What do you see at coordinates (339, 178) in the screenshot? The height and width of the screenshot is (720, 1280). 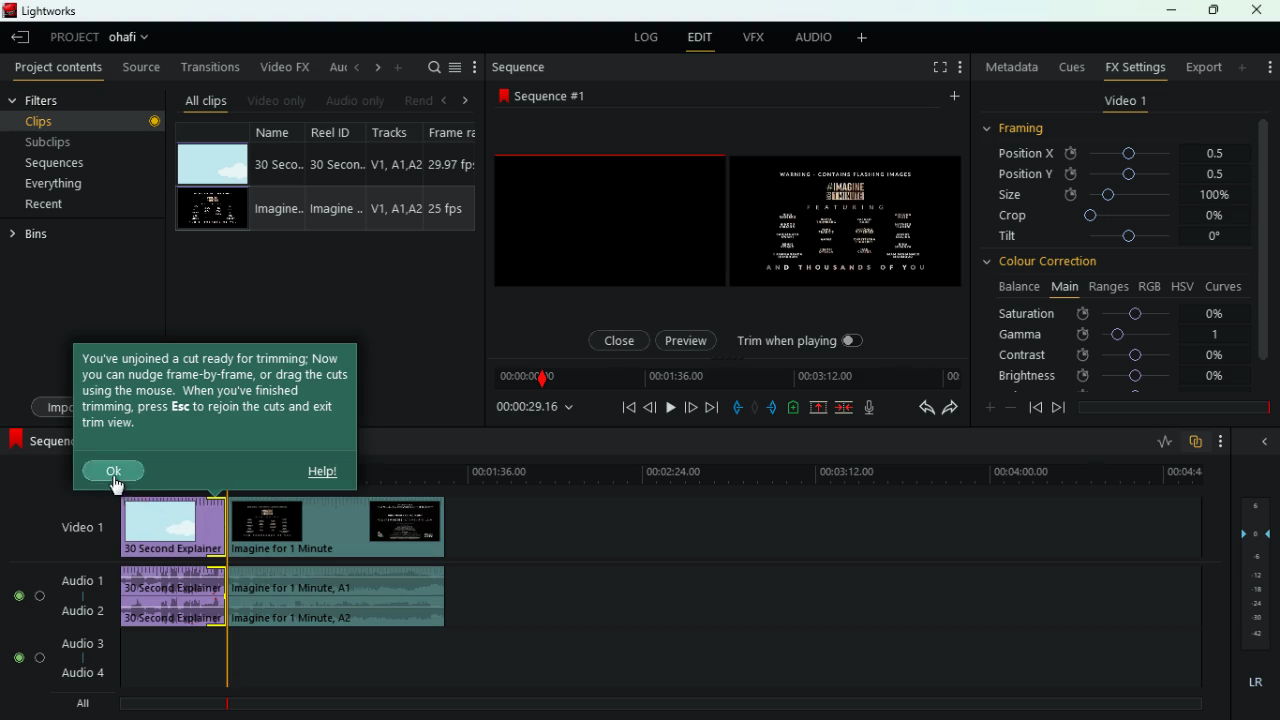 I see `reel id` at bounding box center [339, 178].